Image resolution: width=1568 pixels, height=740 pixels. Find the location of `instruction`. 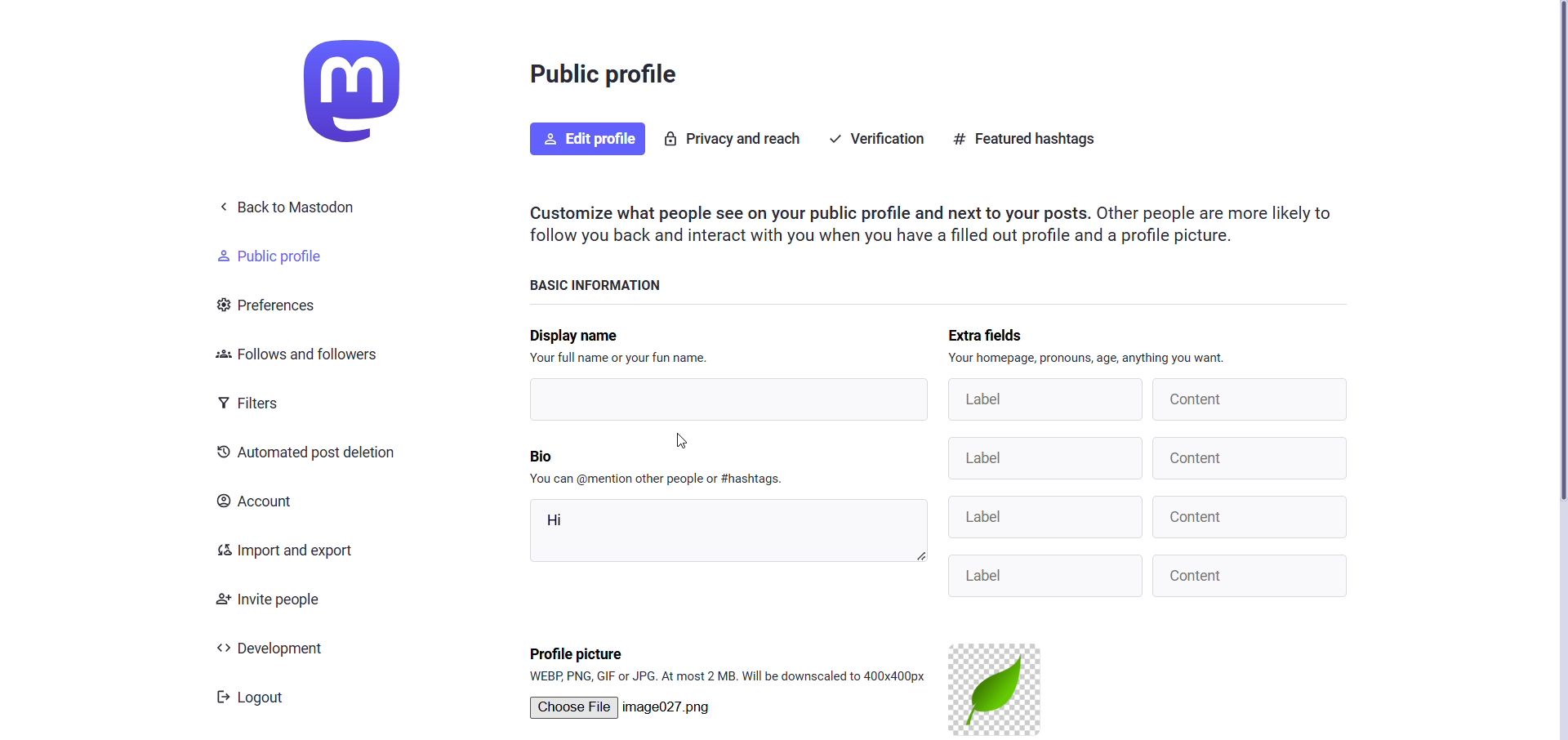

instruction is located at coordinates (1089, 359).